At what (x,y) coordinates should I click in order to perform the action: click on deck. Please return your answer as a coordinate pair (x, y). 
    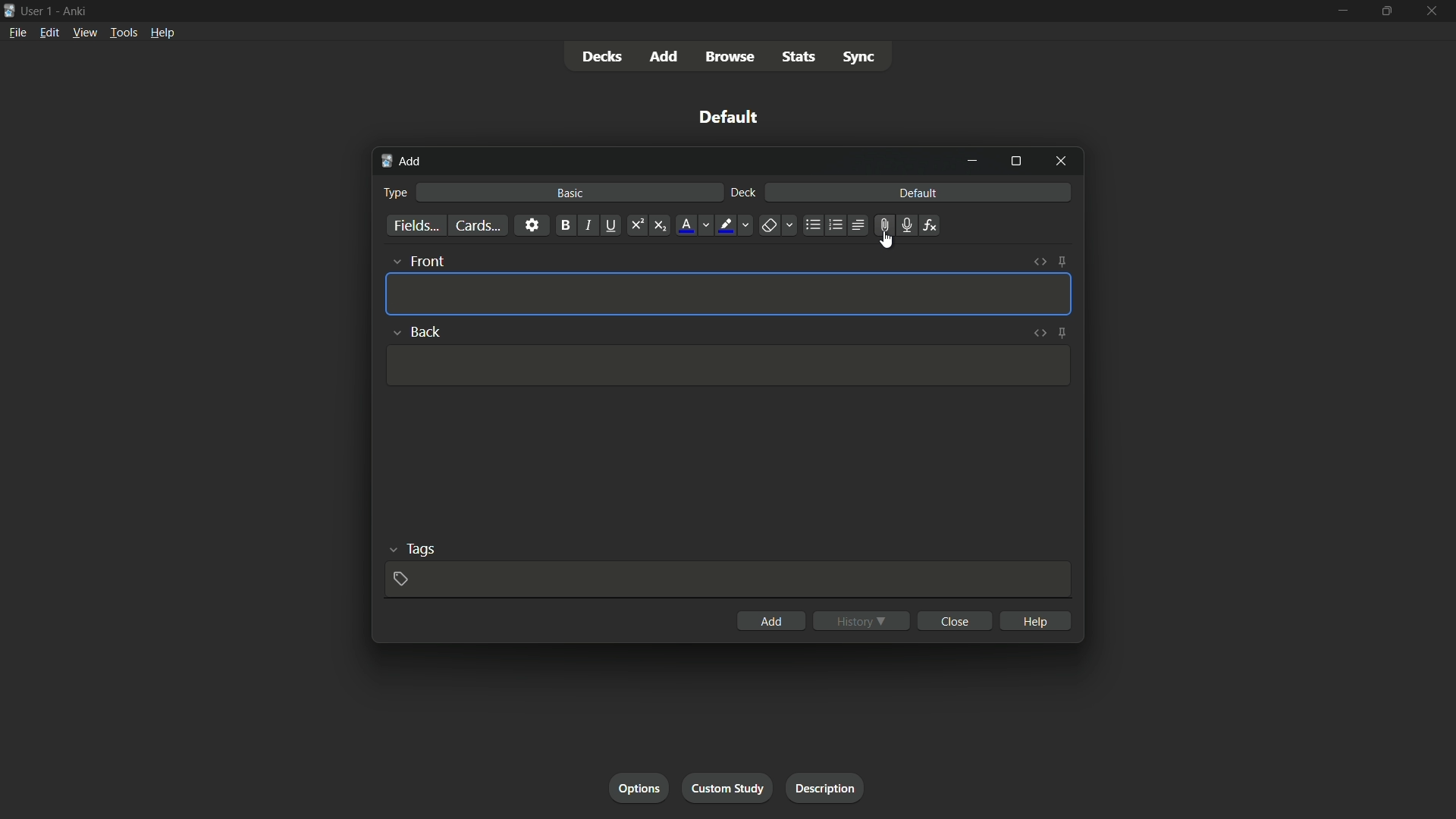
    Looking at the image, I should click on (743, 193).